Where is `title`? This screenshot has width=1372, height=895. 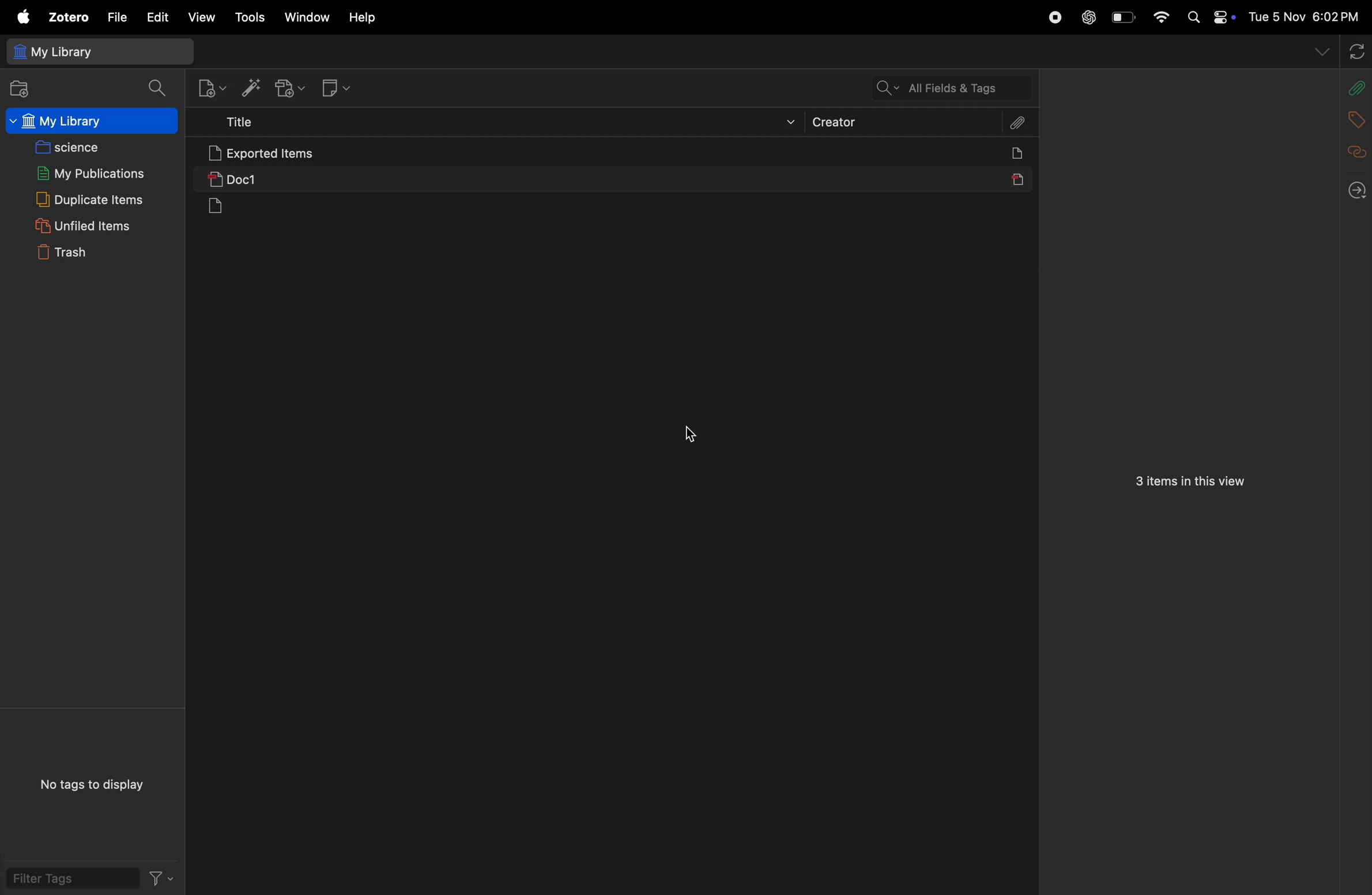 title is located at coordinates (489, 122).